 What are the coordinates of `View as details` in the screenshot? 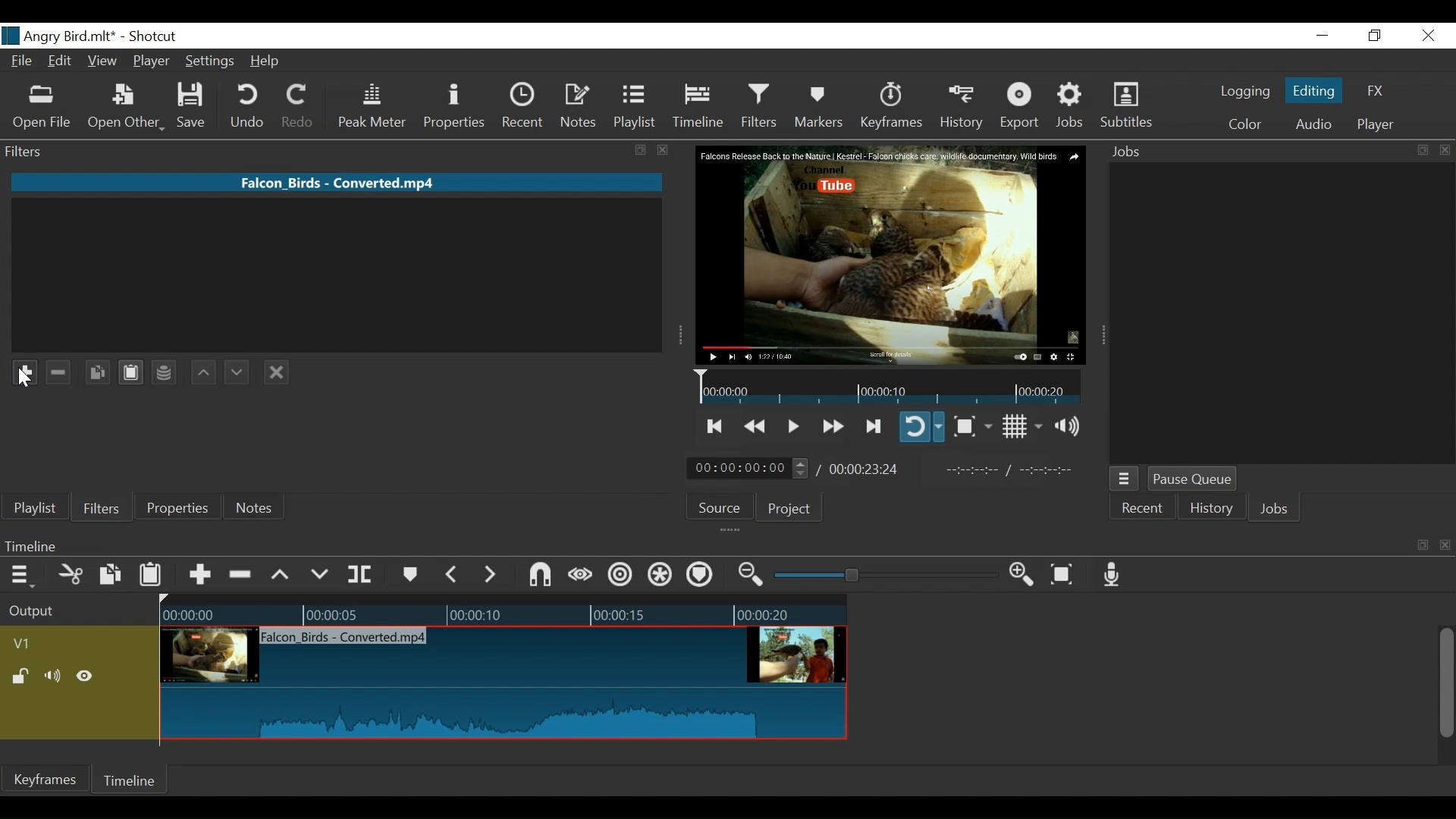 It's located at (240, 472).